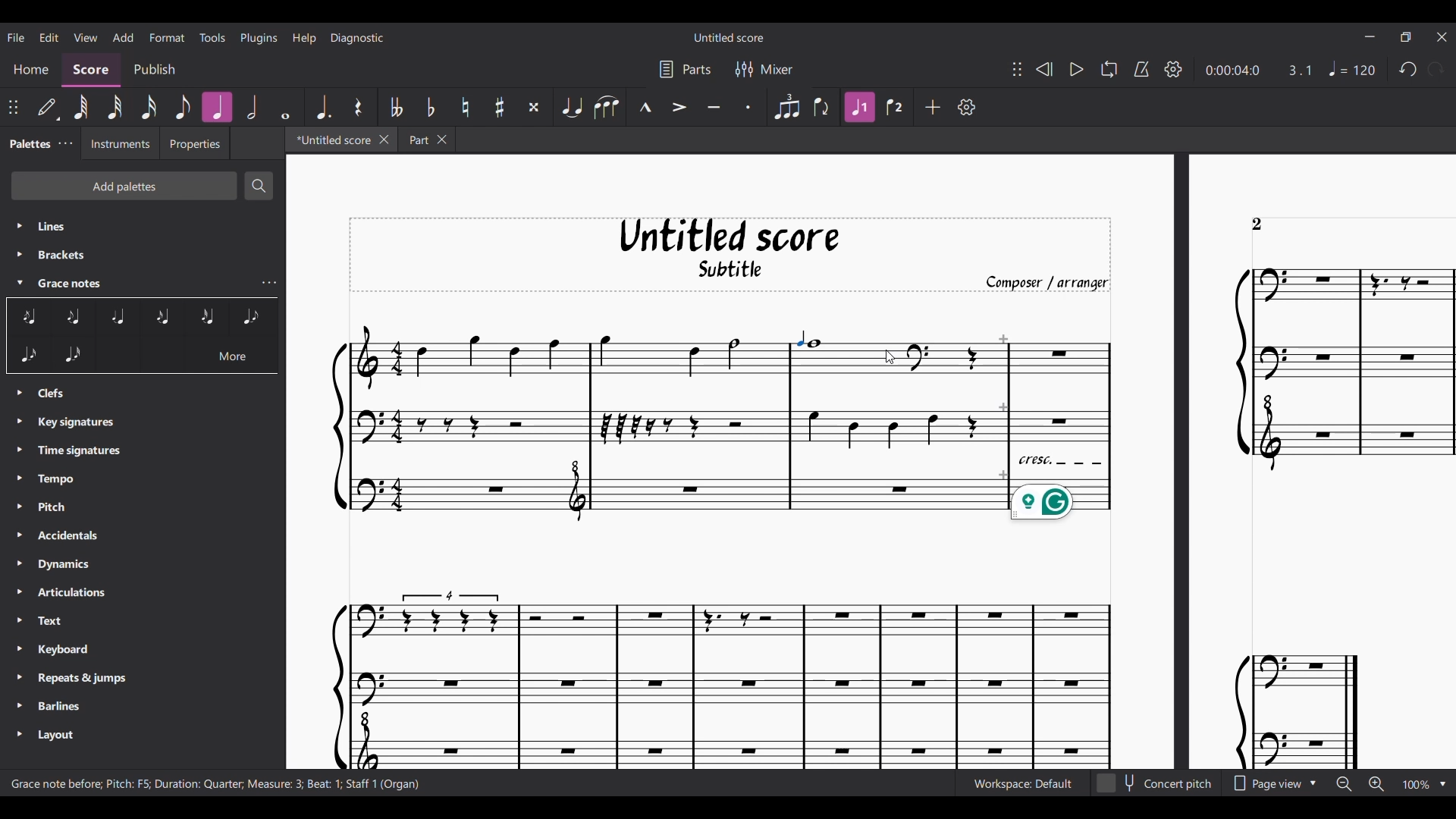 This screenshot has height=819, width=1456. Describe the element at coordinates (685, 70) in the screenshot. I see `Parts settings` at that location.